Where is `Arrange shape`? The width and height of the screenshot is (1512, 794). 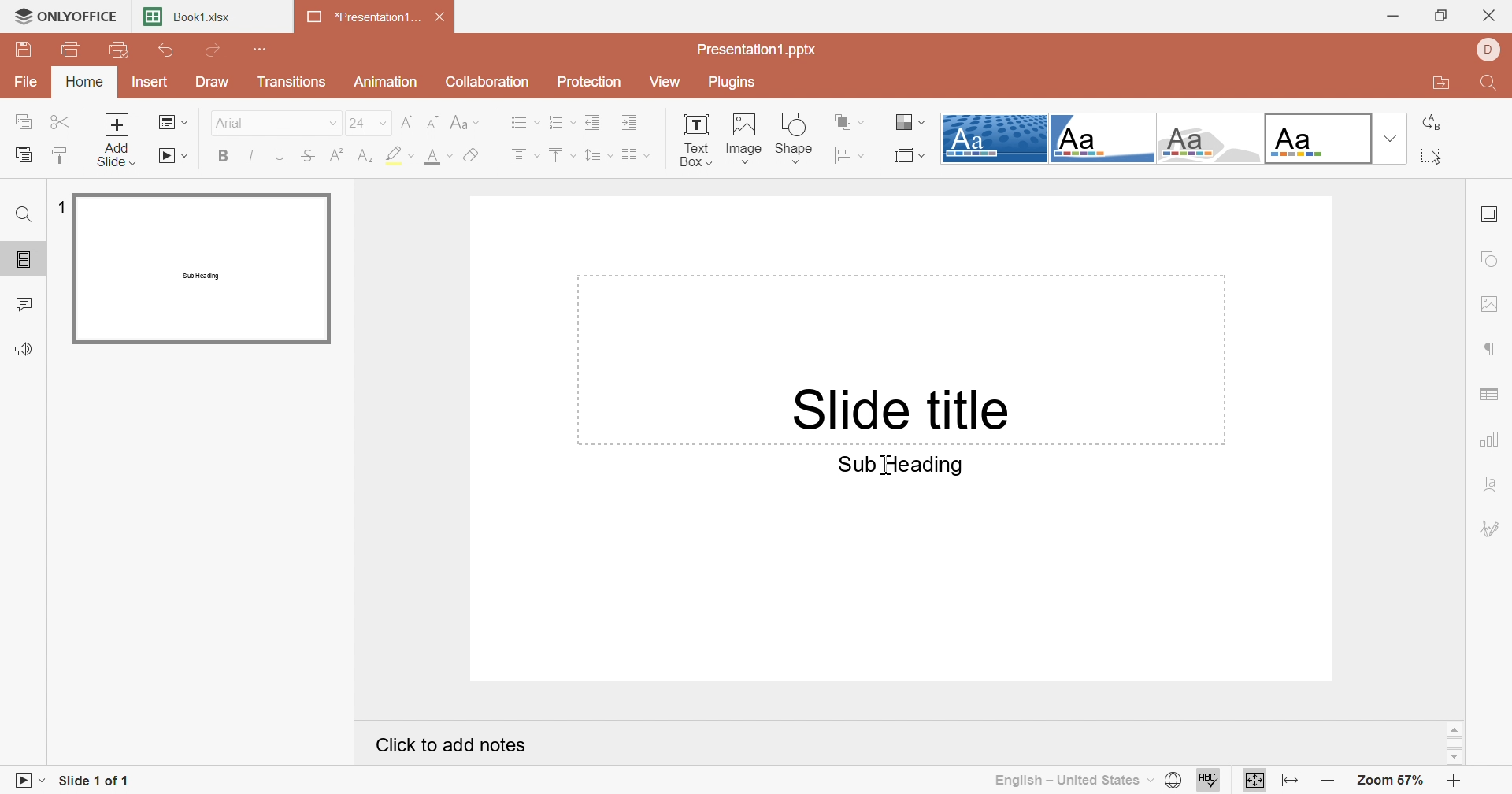 Arrange shape is located at coordinates (846, 121).